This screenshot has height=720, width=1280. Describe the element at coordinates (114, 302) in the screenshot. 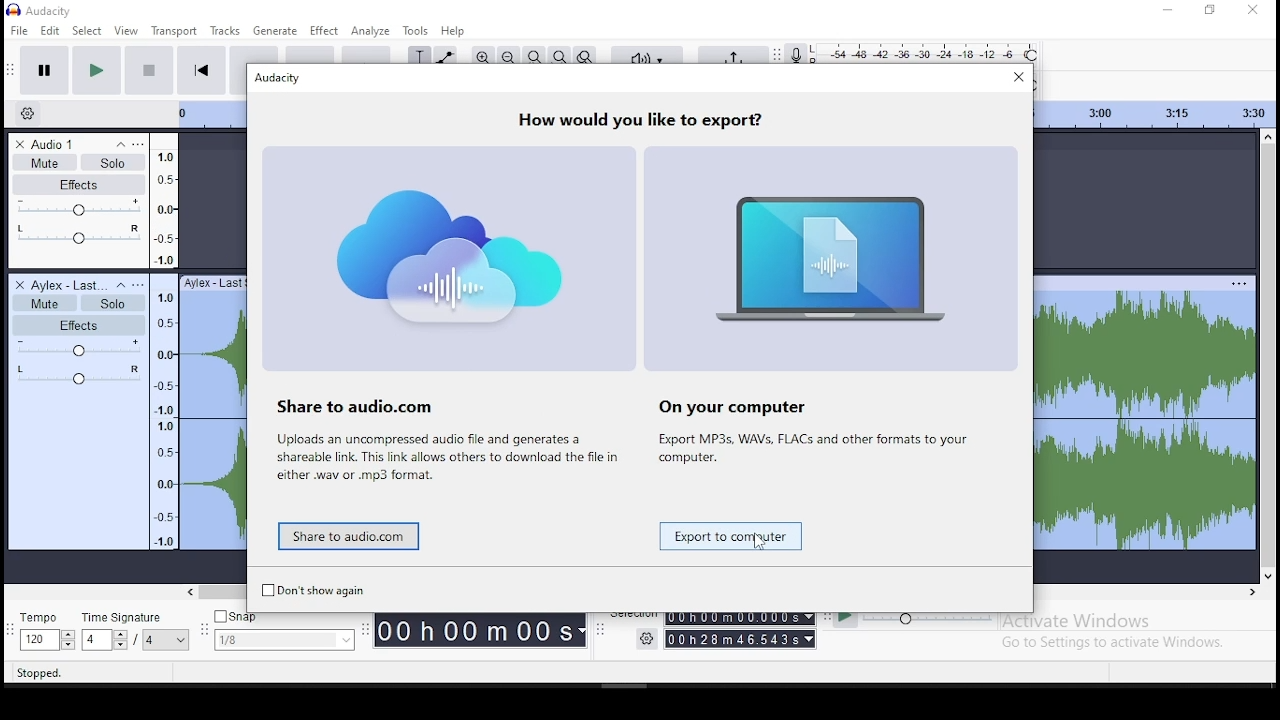

I see `solo` at that location.